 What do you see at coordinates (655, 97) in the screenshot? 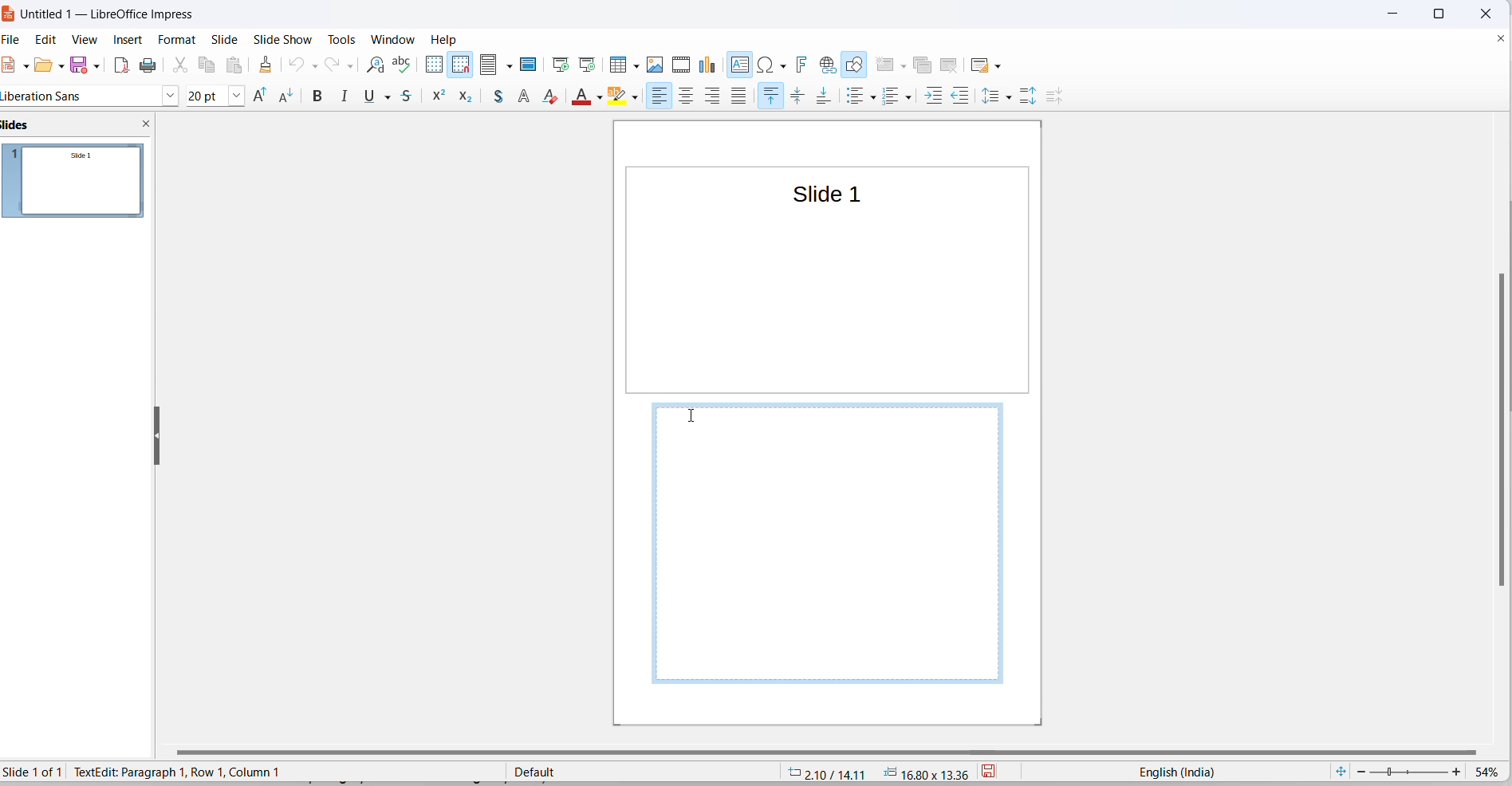
I see `arrange ` at bounding box center [655, 97].